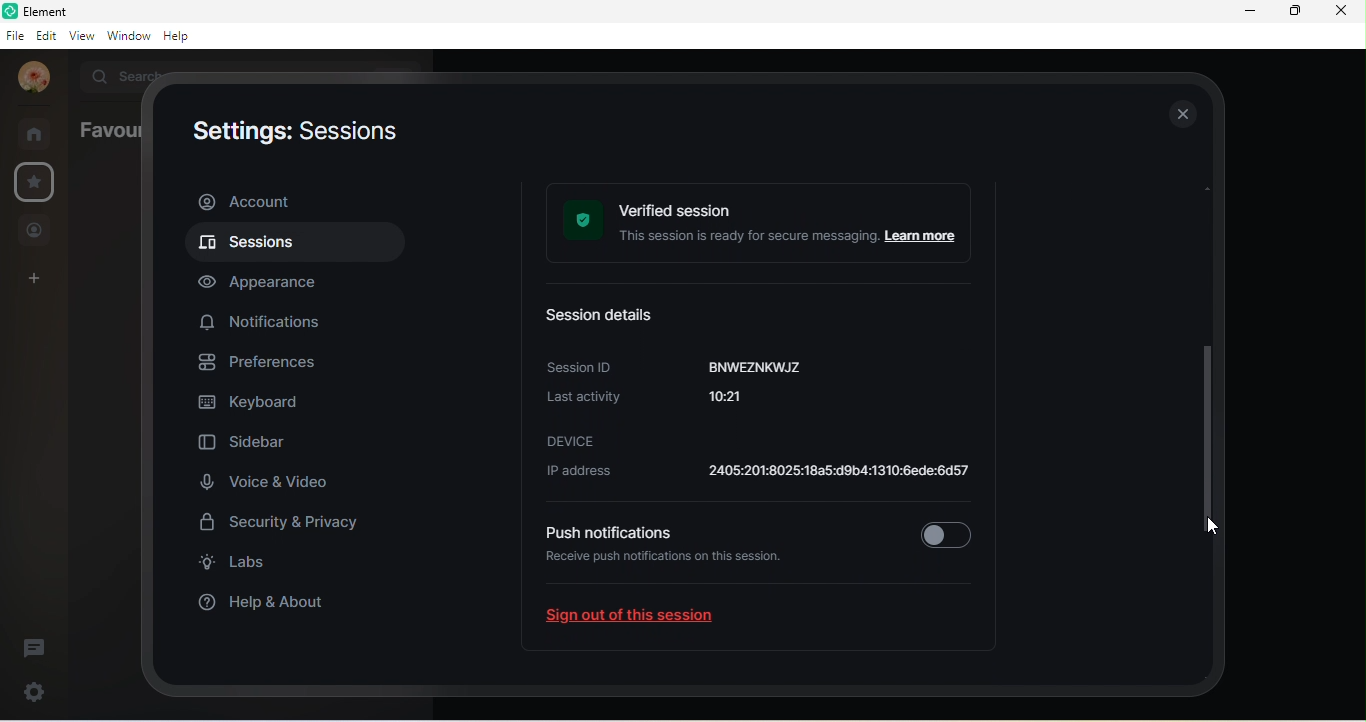 The image size is (1366, 722). What do you see at coordinates (273, 601) in the screenshot?
I see `help and about` at bounding box center [273, 601].